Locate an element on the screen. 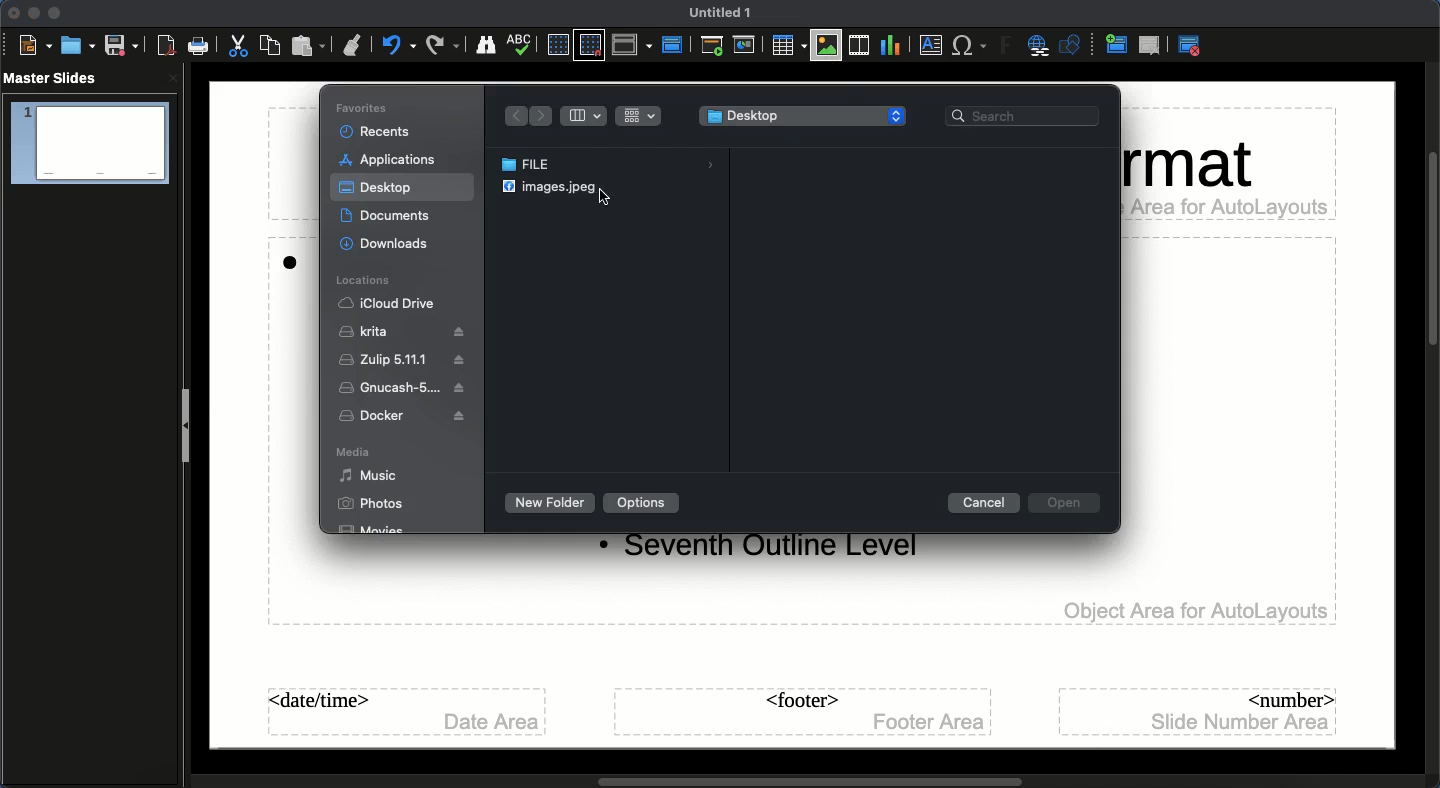 Image resolution: width=1440 pixels, height=788 pixels. Options is located at coordinates (643, 502).